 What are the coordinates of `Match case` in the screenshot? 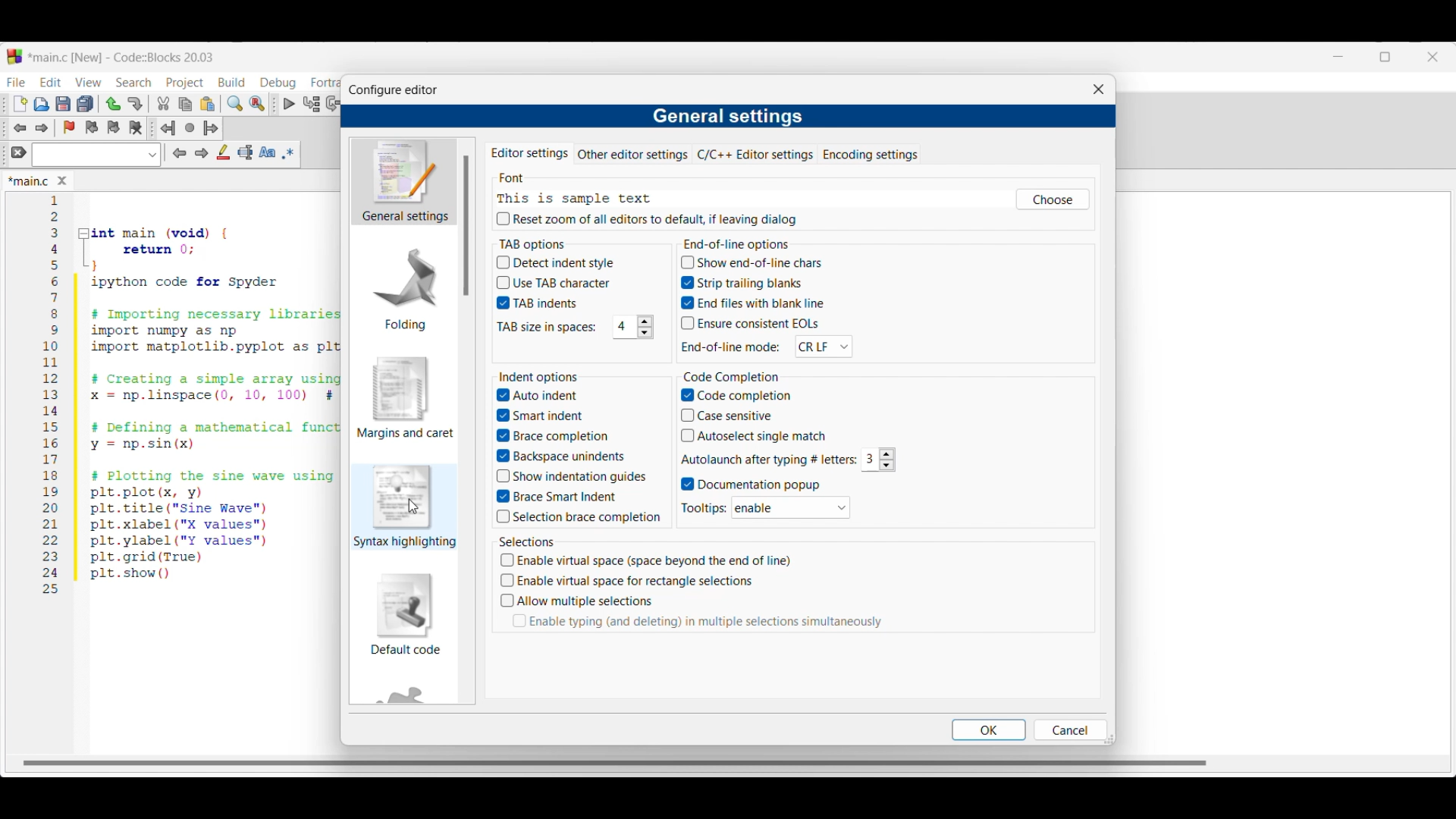 It's located at (267, 152).